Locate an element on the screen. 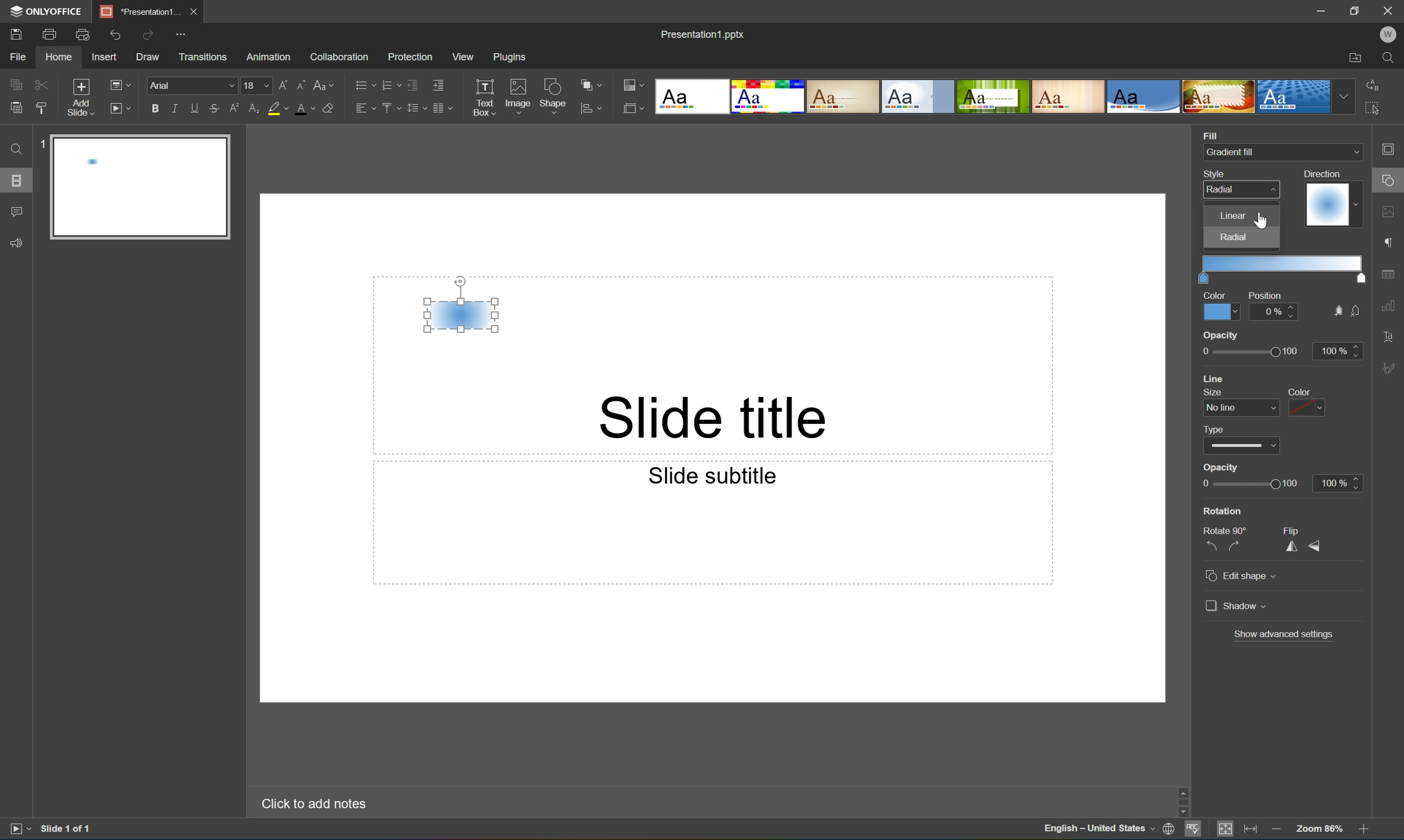 The image size is (1404, 840). English - United States is located at coordinates (1099, 830).